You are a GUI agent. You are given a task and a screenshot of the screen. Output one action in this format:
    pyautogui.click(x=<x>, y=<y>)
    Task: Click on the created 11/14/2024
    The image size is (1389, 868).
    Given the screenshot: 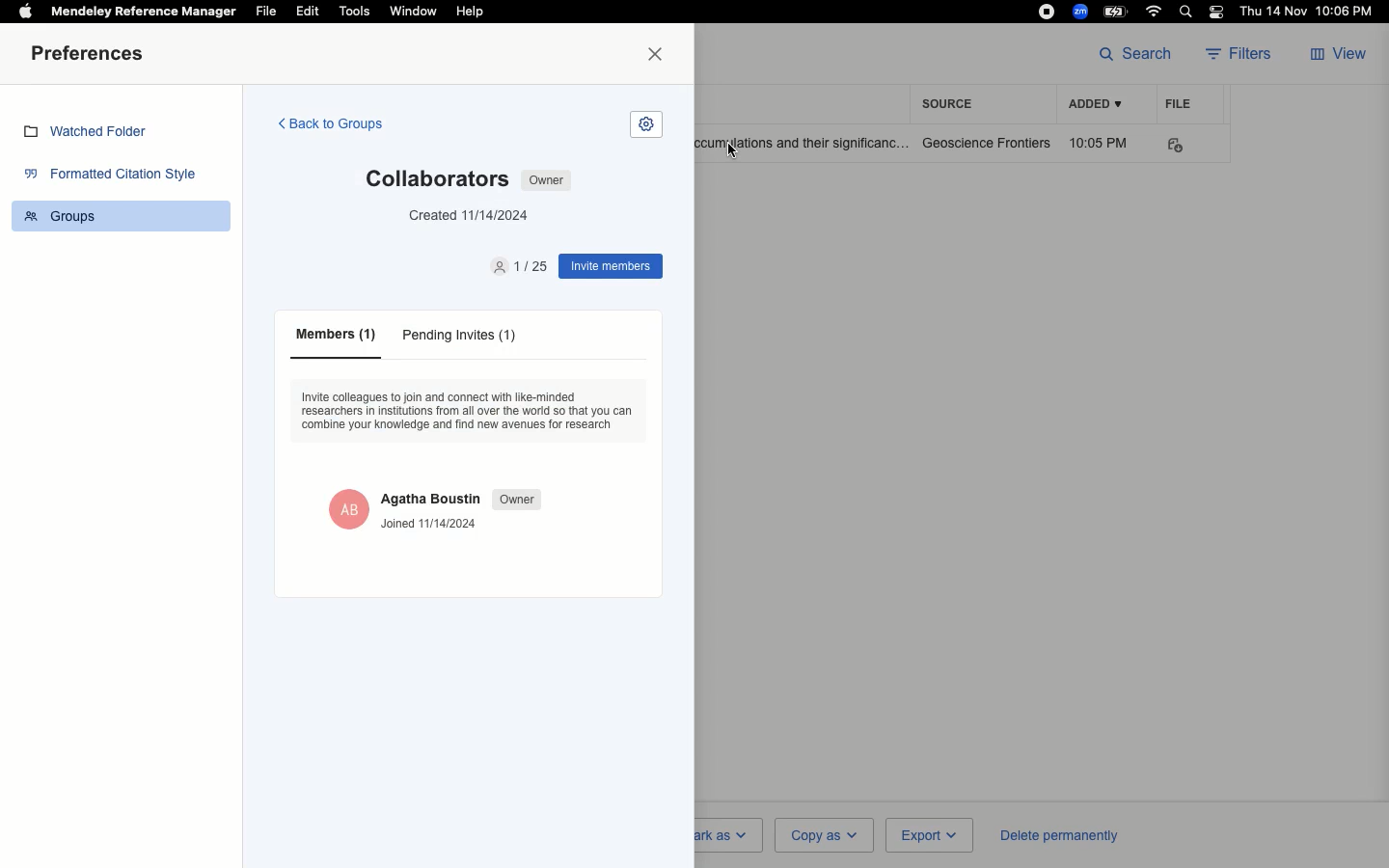 What is the action you would take?
    pyautogui.click(x=455, y=222)
    